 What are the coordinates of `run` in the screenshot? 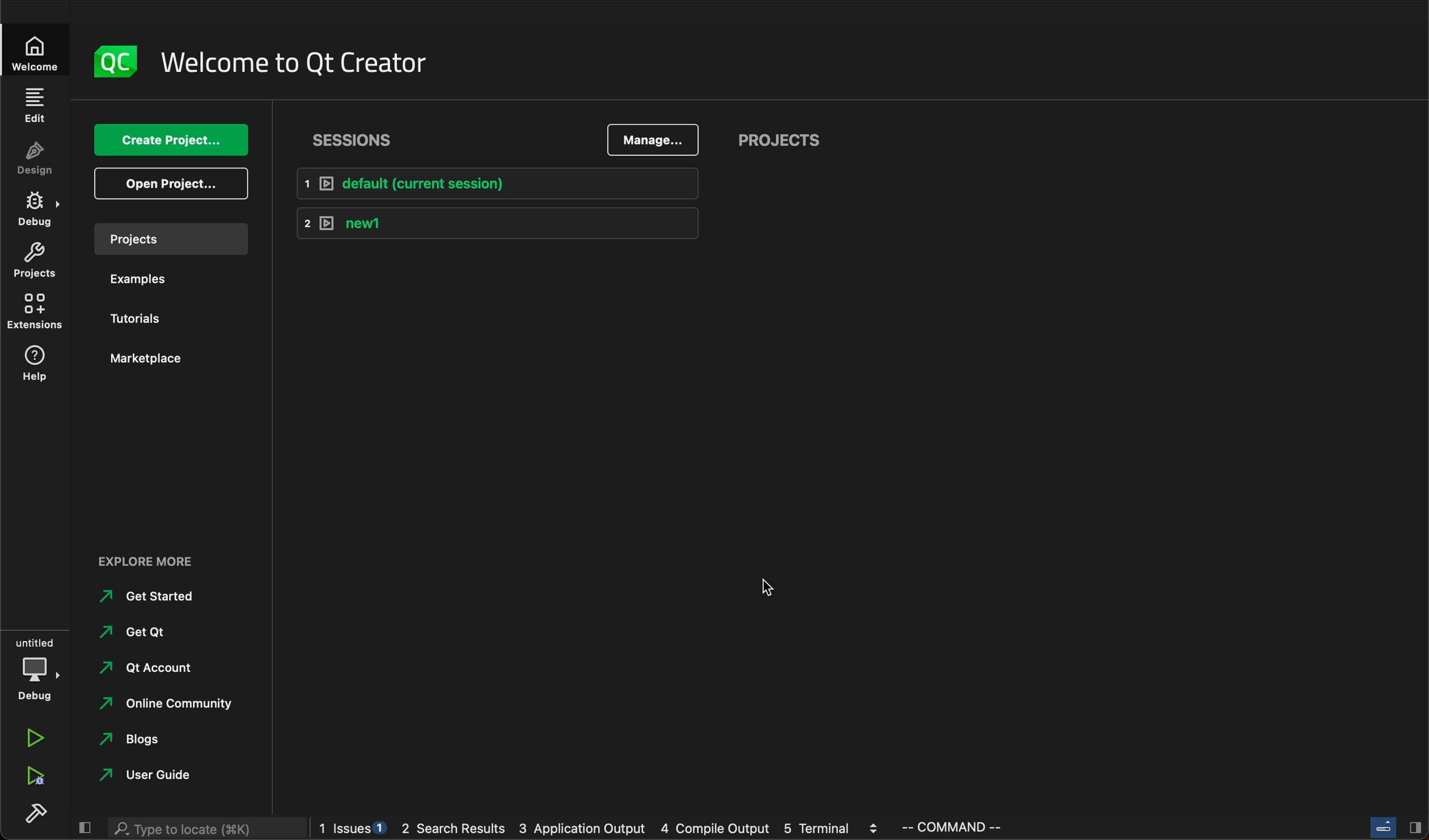 It's located at (37, 740).